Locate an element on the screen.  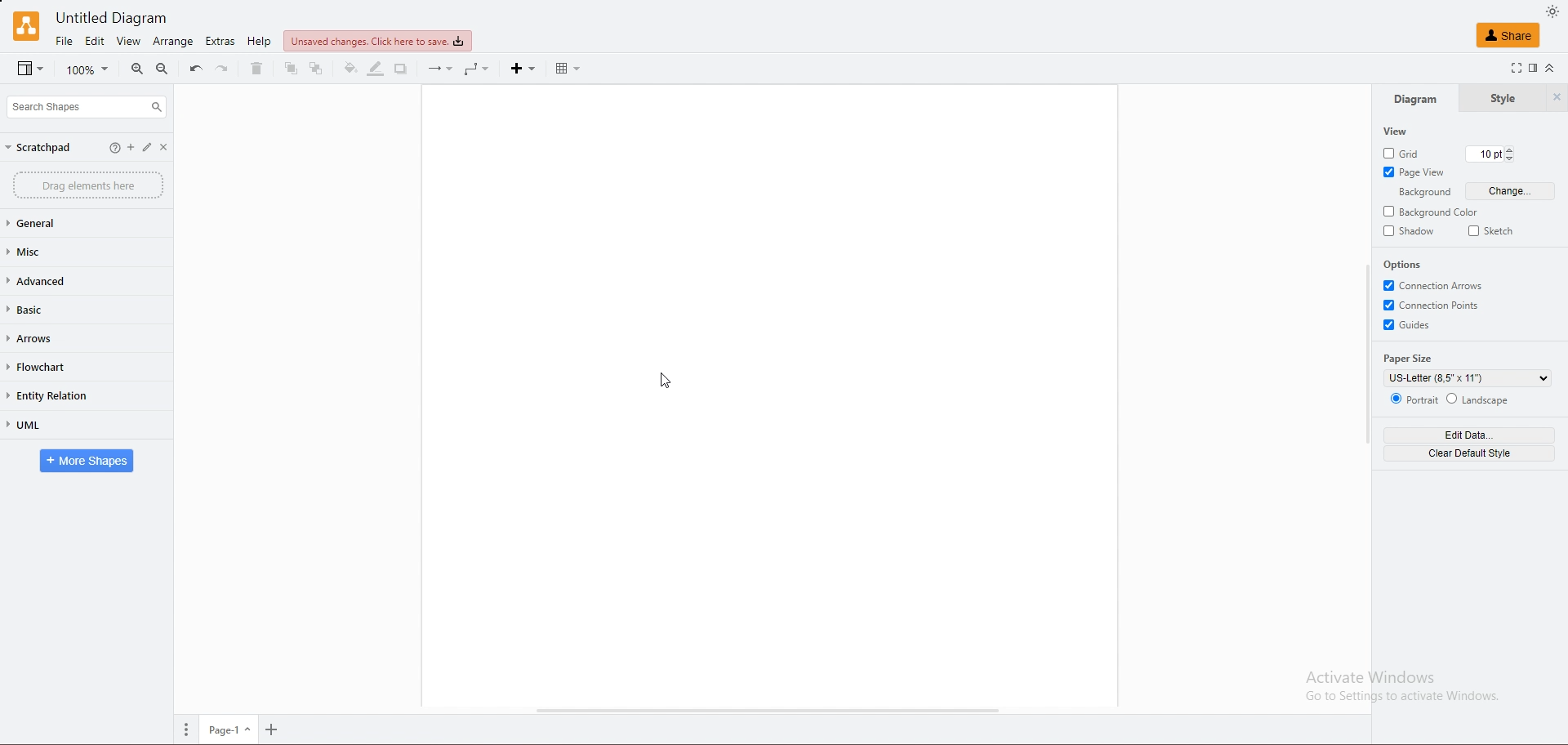
advanced is located at coordinates (47, 280).